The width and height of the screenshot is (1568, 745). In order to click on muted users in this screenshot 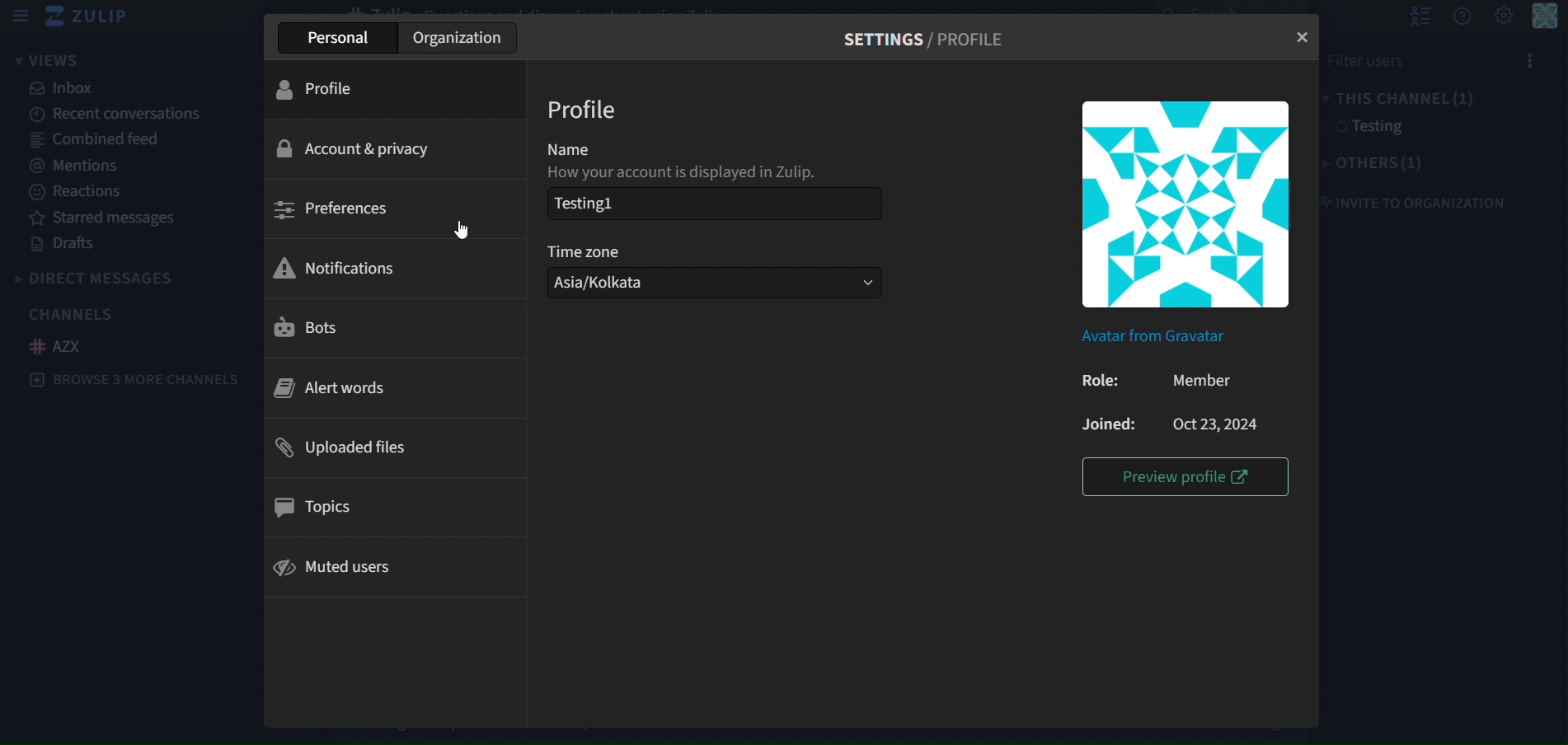, I will do `click(340, 565)`.